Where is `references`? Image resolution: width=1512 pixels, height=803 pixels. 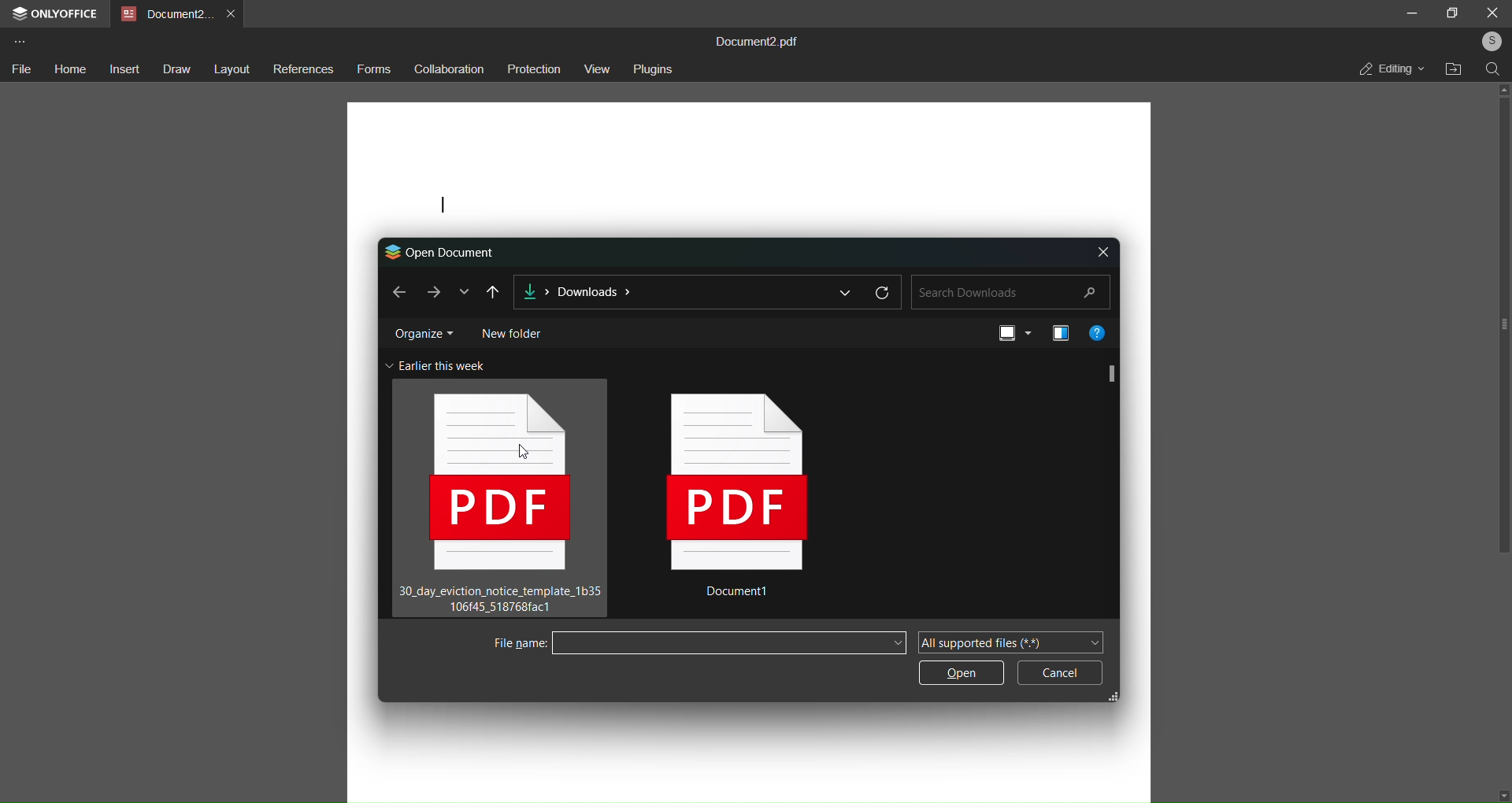 references is located at coordinates (303, 71).